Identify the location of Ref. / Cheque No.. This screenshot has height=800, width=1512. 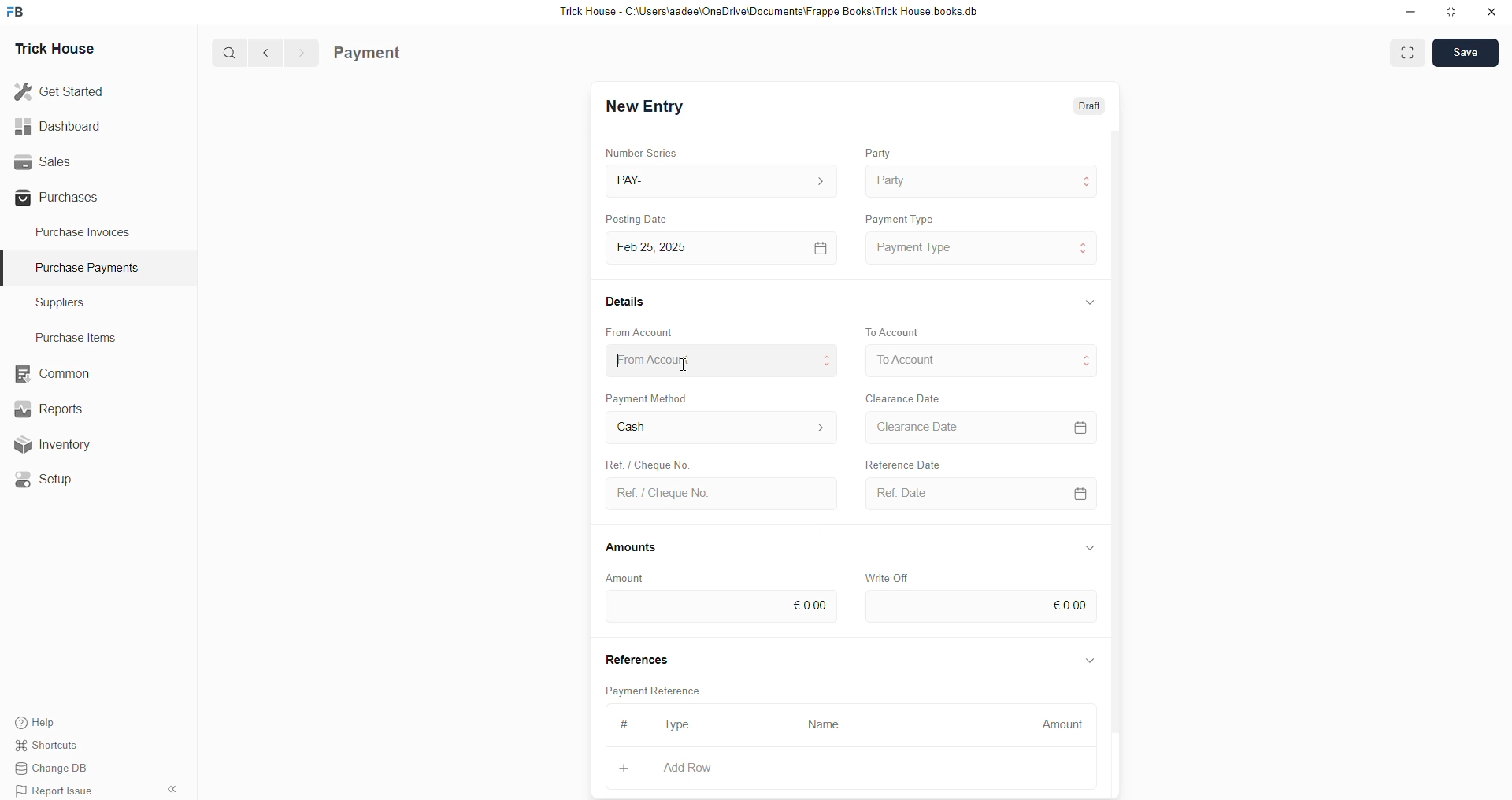
(645, 461).